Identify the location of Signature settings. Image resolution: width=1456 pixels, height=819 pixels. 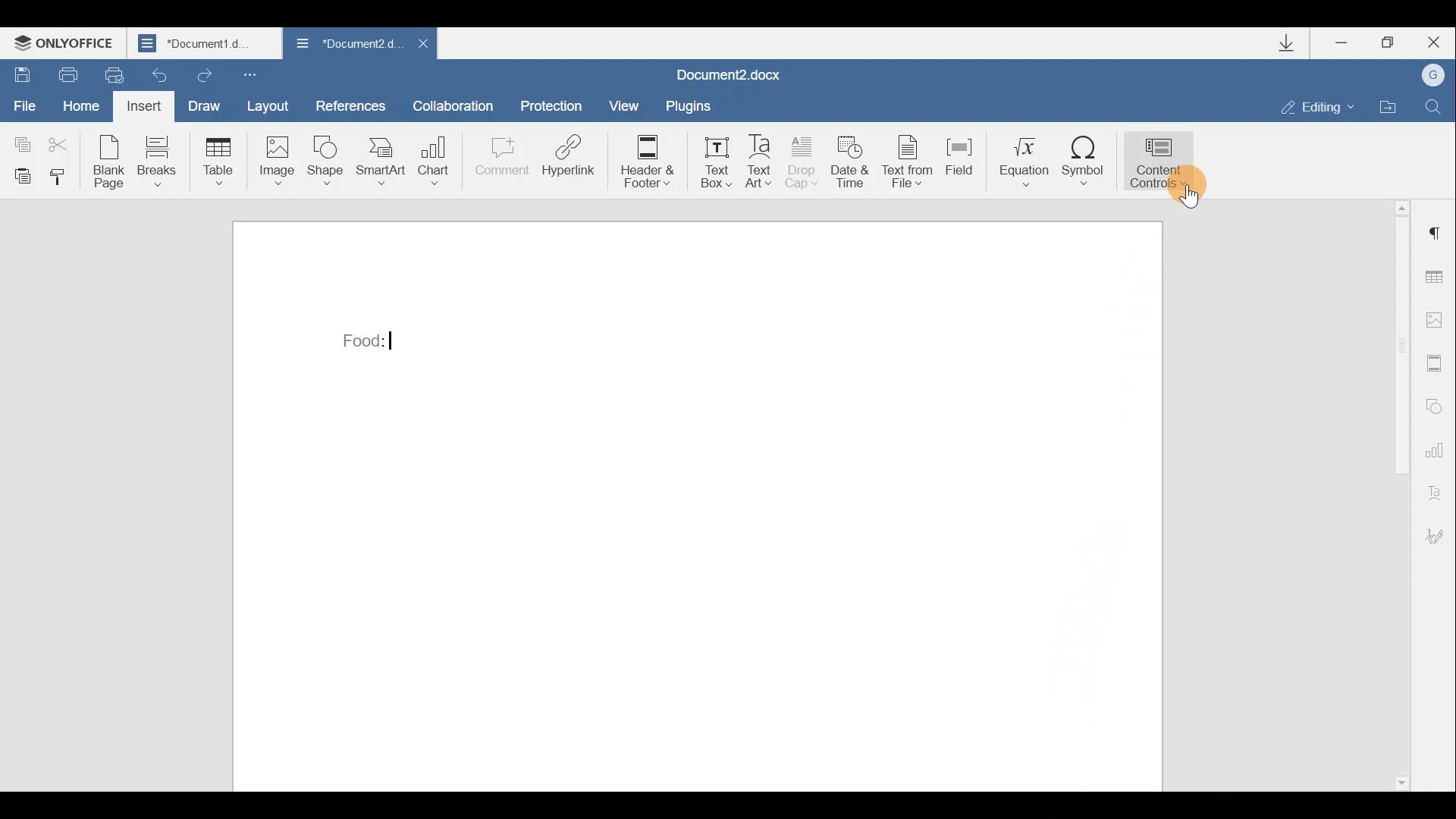
(1441, 536).